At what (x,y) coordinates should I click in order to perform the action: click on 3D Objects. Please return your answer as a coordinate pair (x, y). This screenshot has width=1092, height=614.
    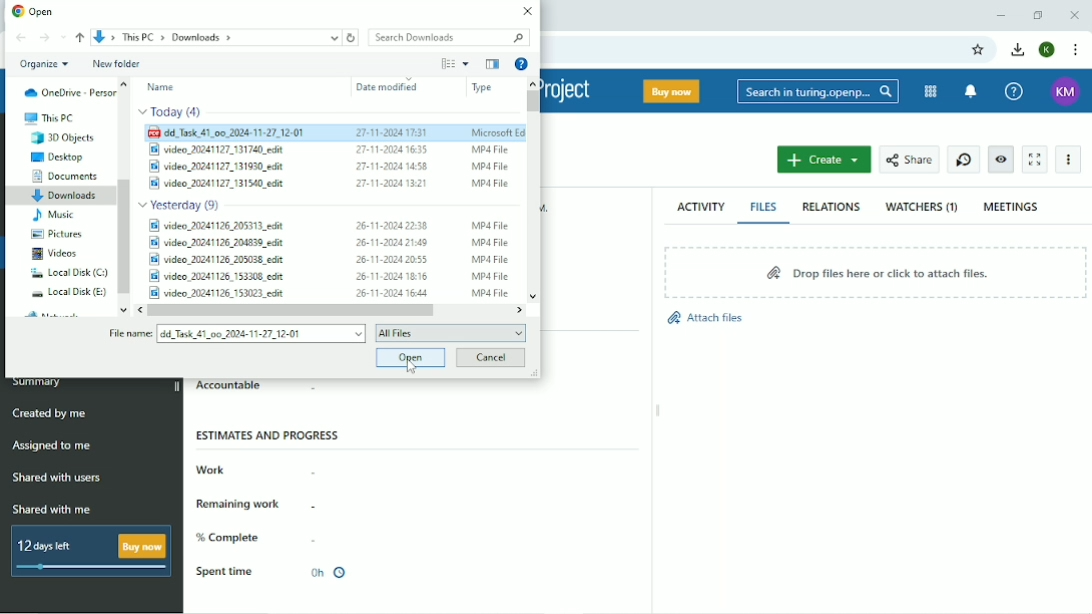
    Looking at the image, I should click on (64, 138).